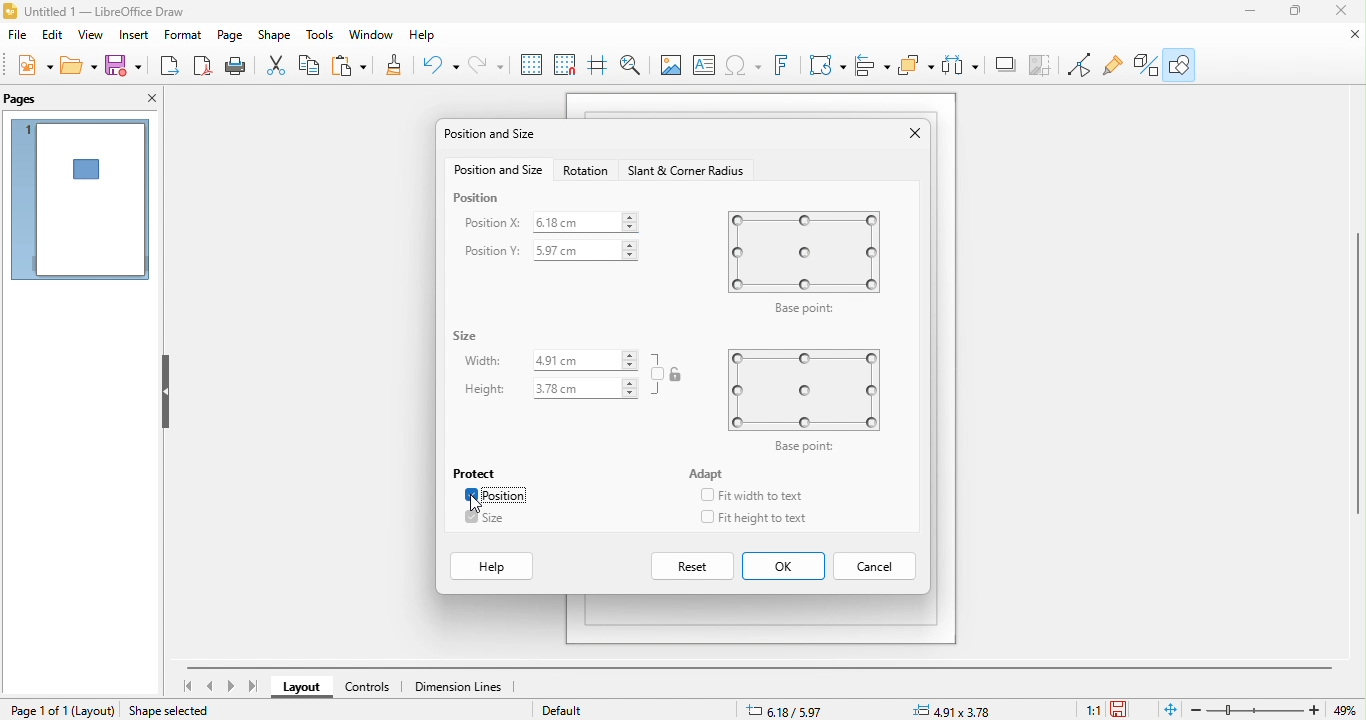  What do you see at coordinates (670, 67) in the screenshot?
I see `image` at bounding box center [670, 67].